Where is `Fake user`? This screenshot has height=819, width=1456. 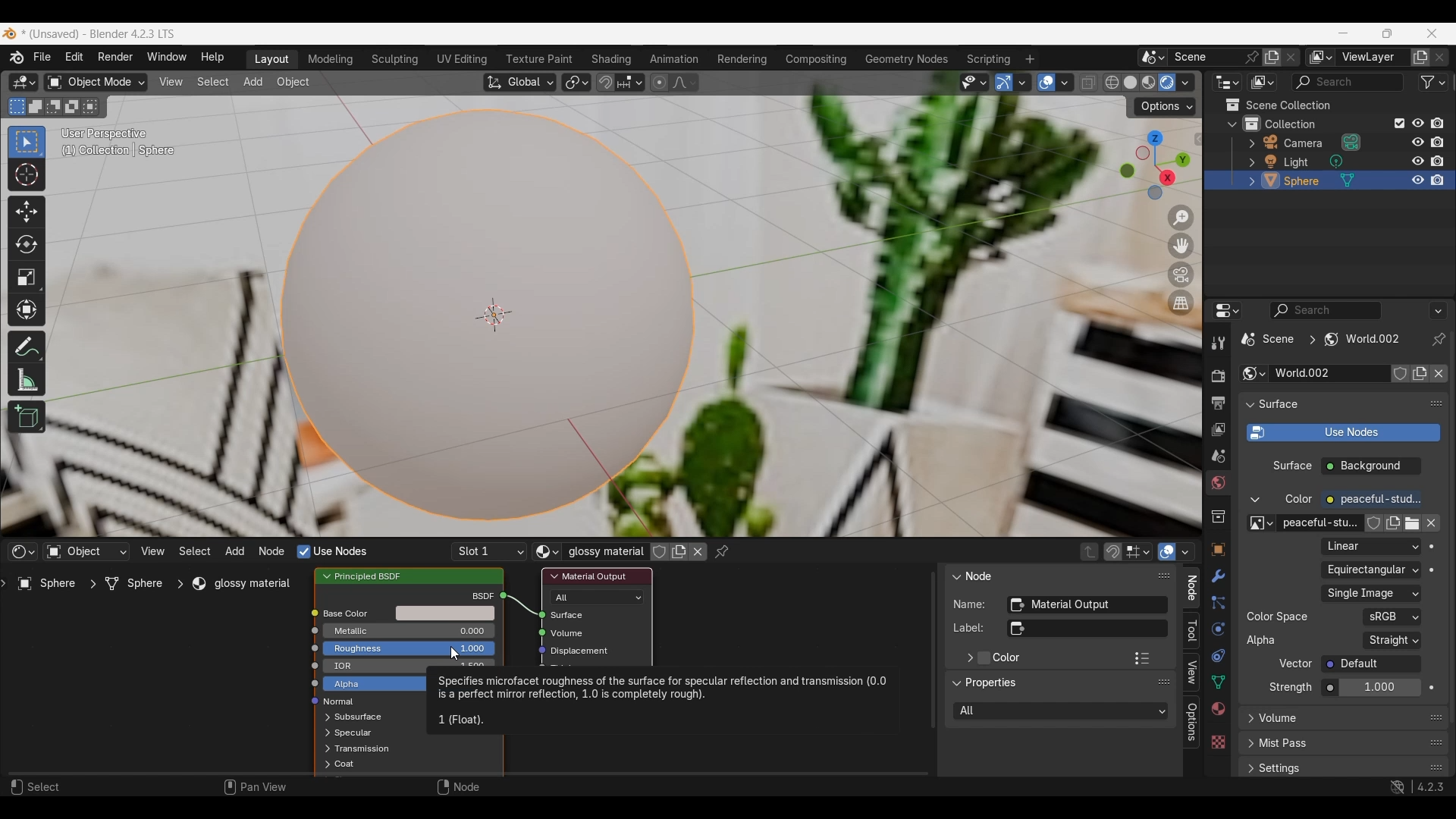
Fake user is located at coordinates (1374, 523).